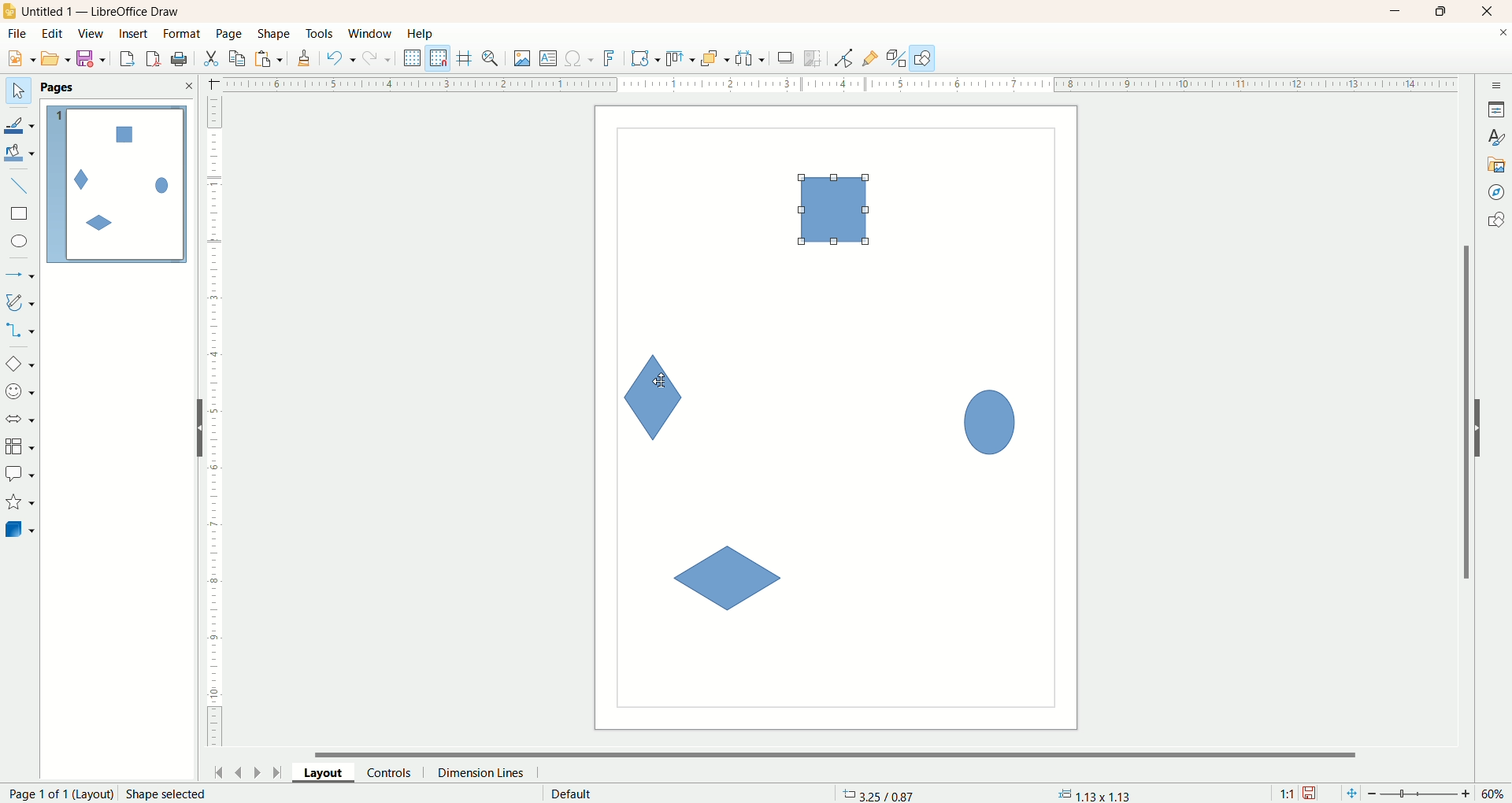 The height and width of the screenshot is (803, 1512). I want to click on last page, so click(280, 771).